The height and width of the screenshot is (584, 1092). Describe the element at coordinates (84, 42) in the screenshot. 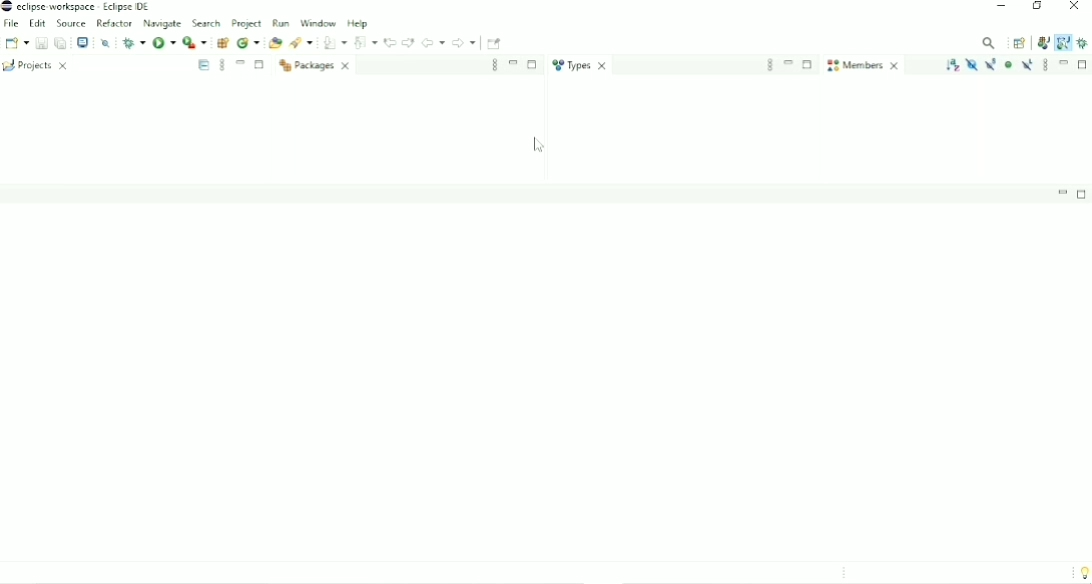

I see `Open a terminal` at that location.